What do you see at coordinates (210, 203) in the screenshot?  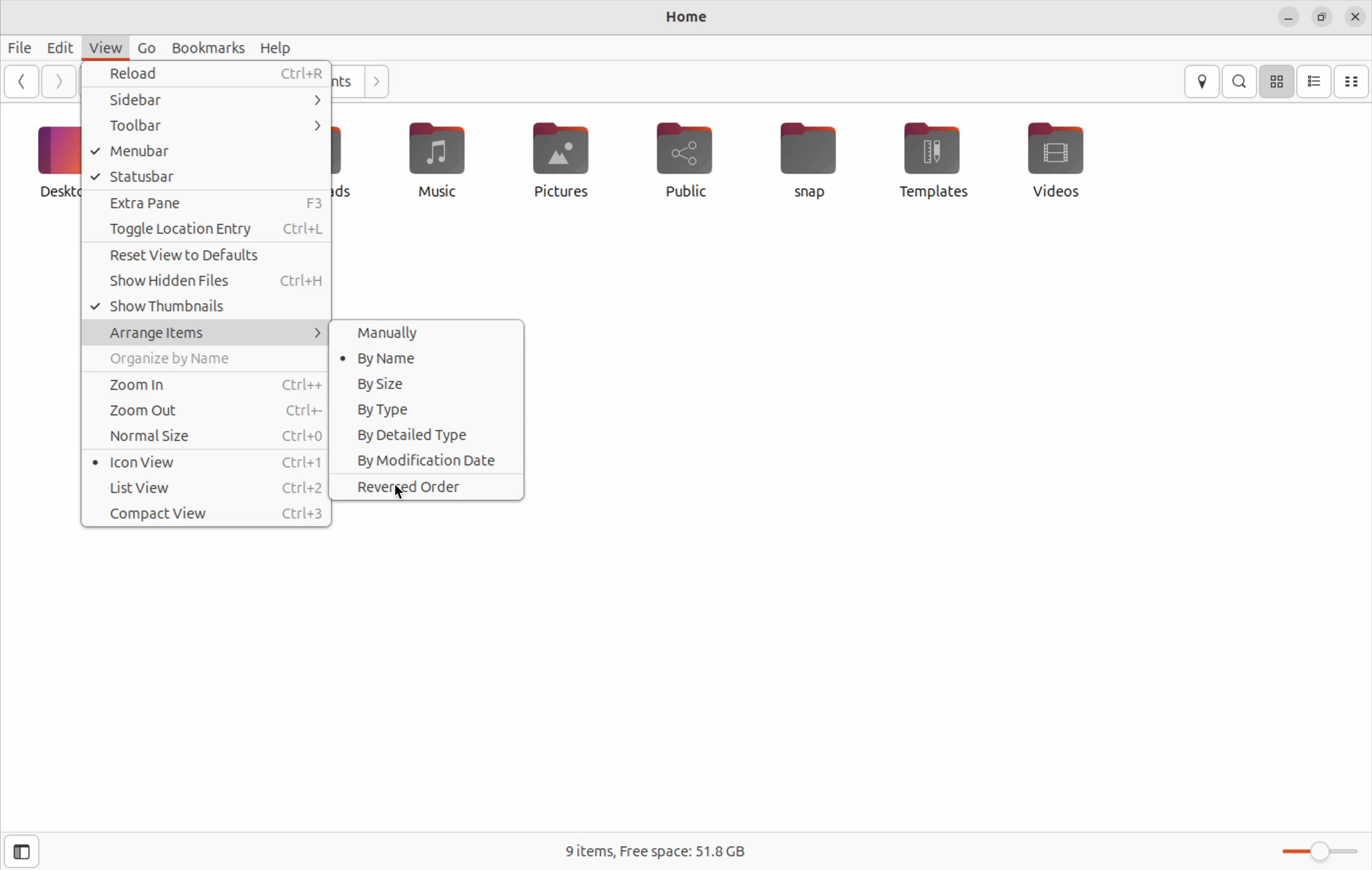 I see `extrapane` at bounding box center [210, 203].